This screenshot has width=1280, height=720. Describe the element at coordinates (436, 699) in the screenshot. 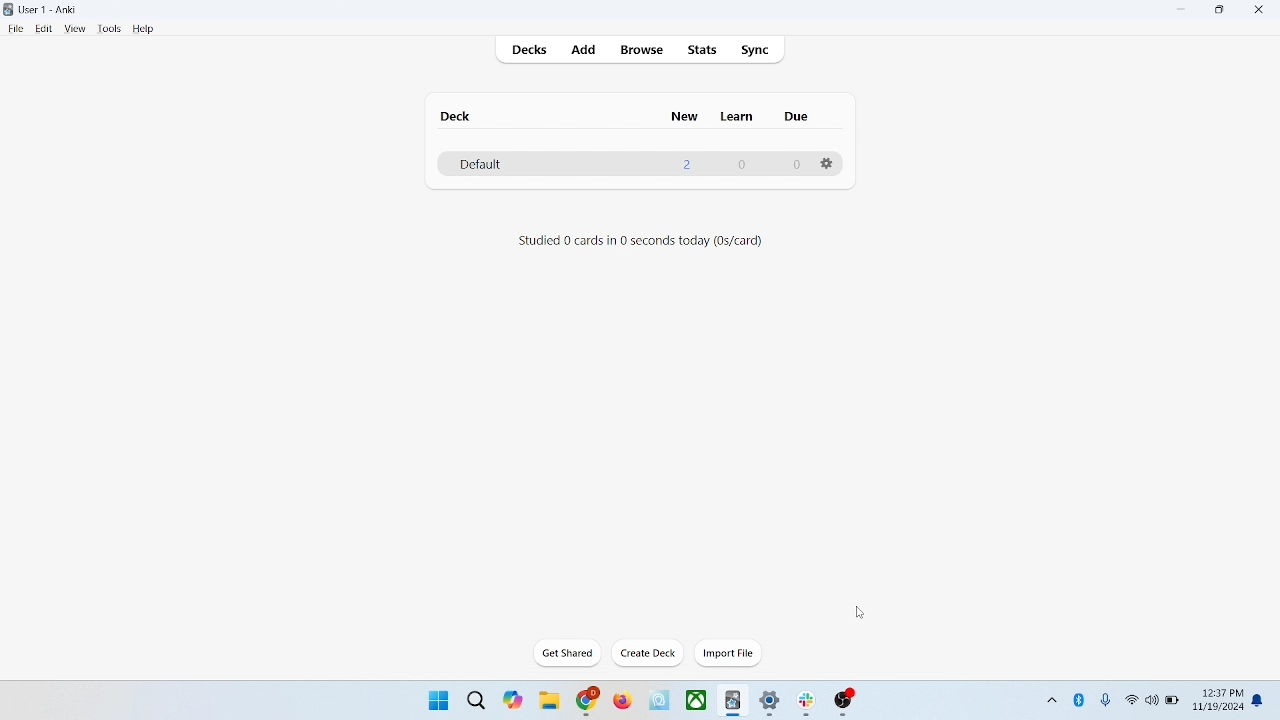

I see `window` at that location.